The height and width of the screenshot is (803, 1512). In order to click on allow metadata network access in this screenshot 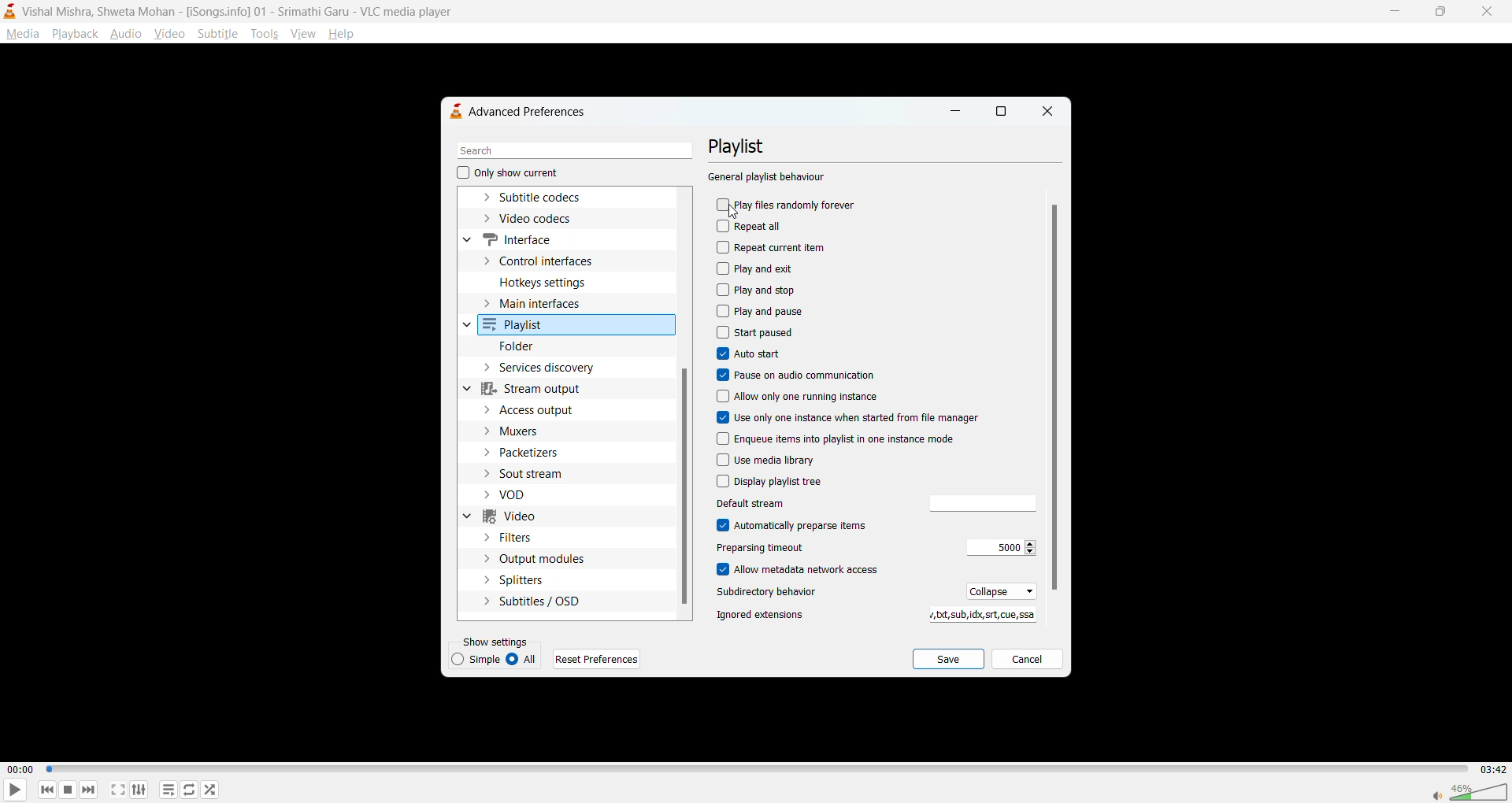, I will do `click(810, 571)`.